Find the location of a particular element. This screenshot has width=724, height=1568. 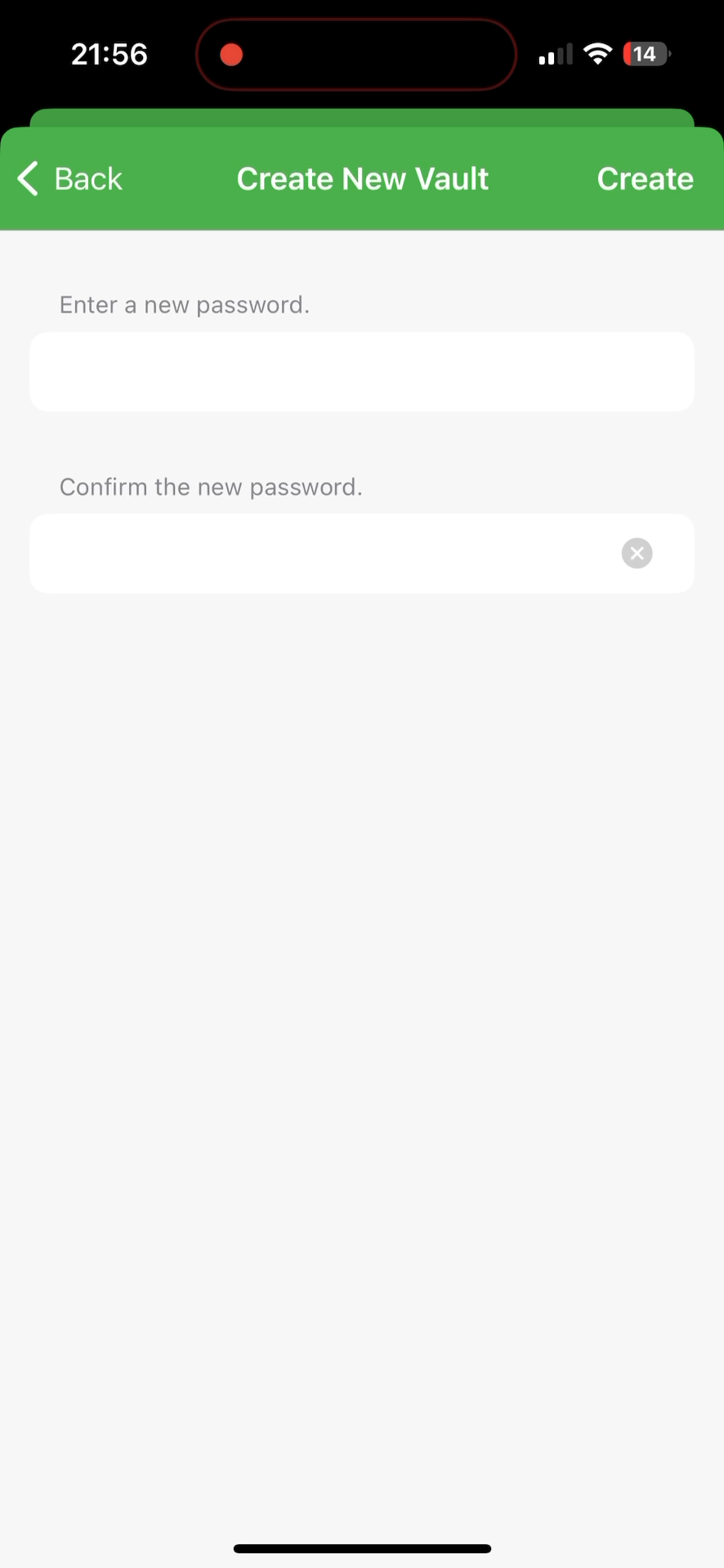

Back is located at coordinates (71, 184).